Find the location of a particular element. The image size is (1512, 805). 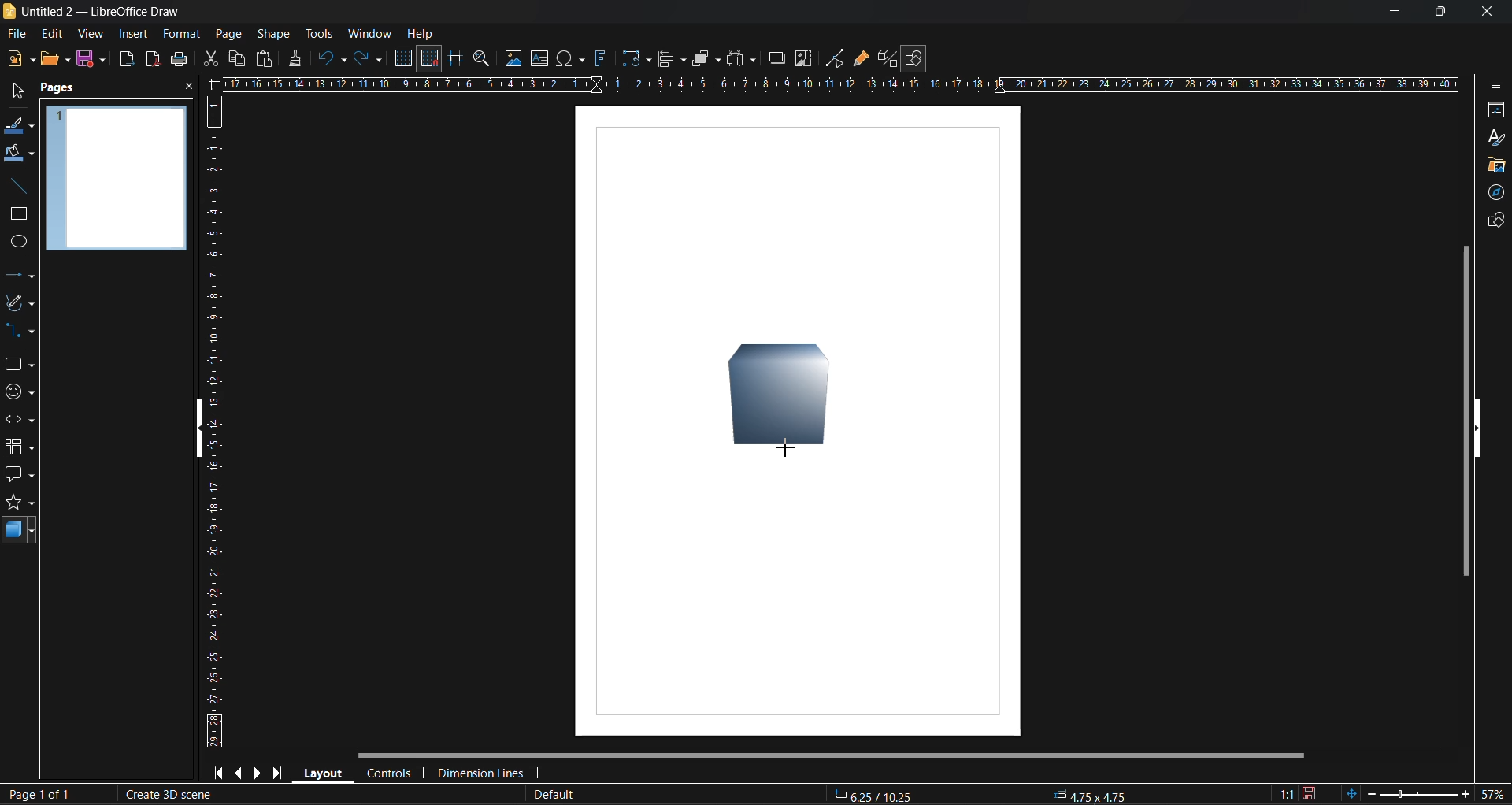

close is located at coordinates (187, 90).